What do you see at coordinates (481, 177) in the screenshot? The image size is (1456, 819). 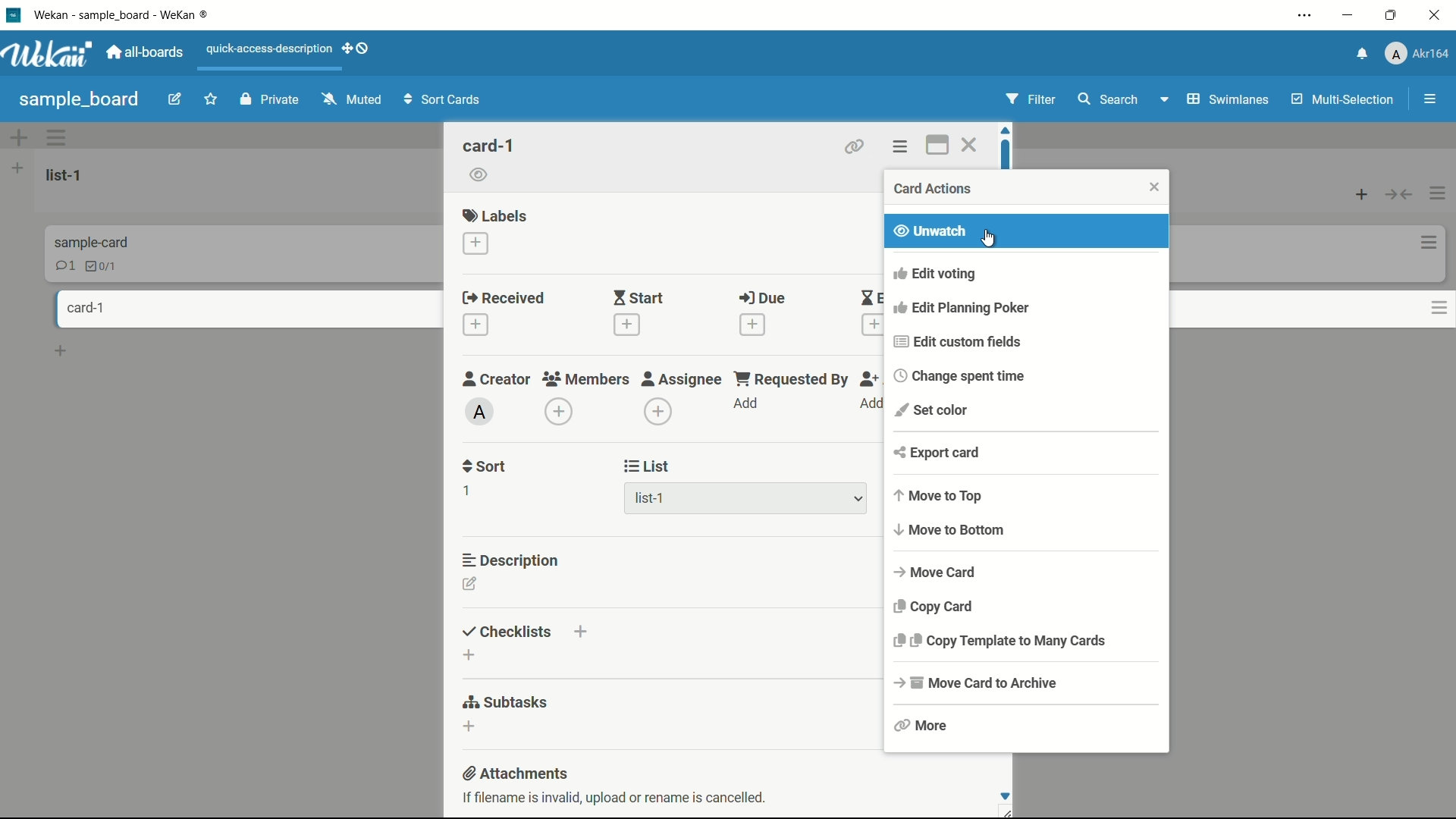 I see `watch icon` at bounding box center [481, 177].